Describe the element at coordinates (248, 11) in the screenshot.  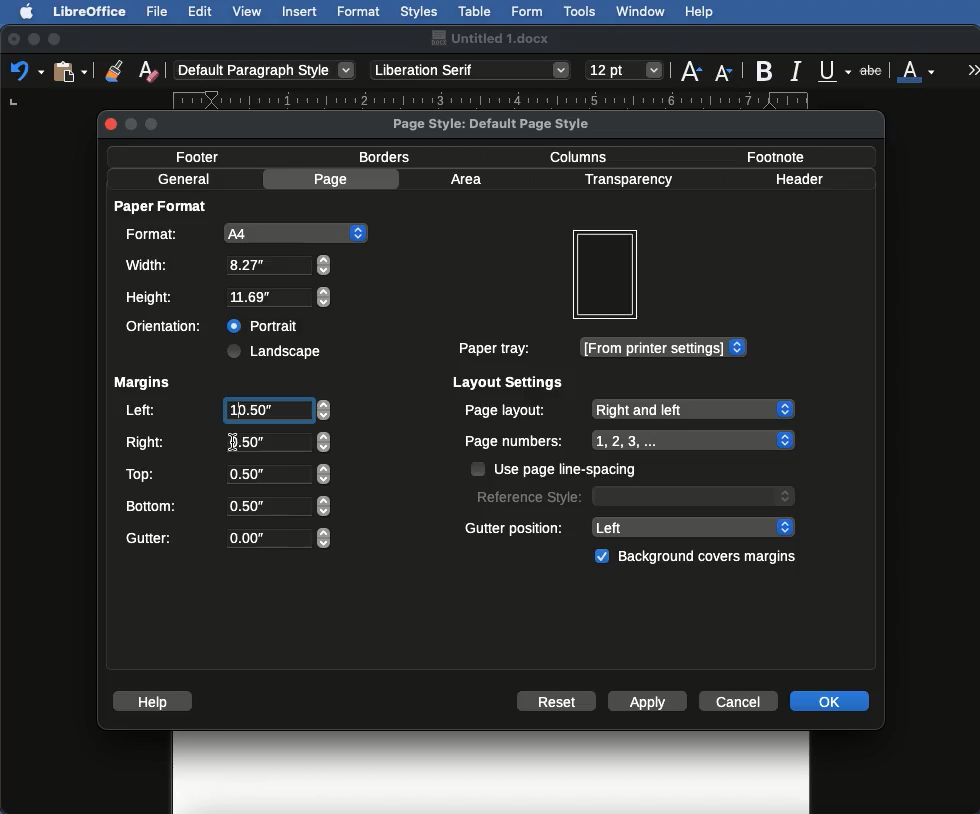
I see `View` at that location.